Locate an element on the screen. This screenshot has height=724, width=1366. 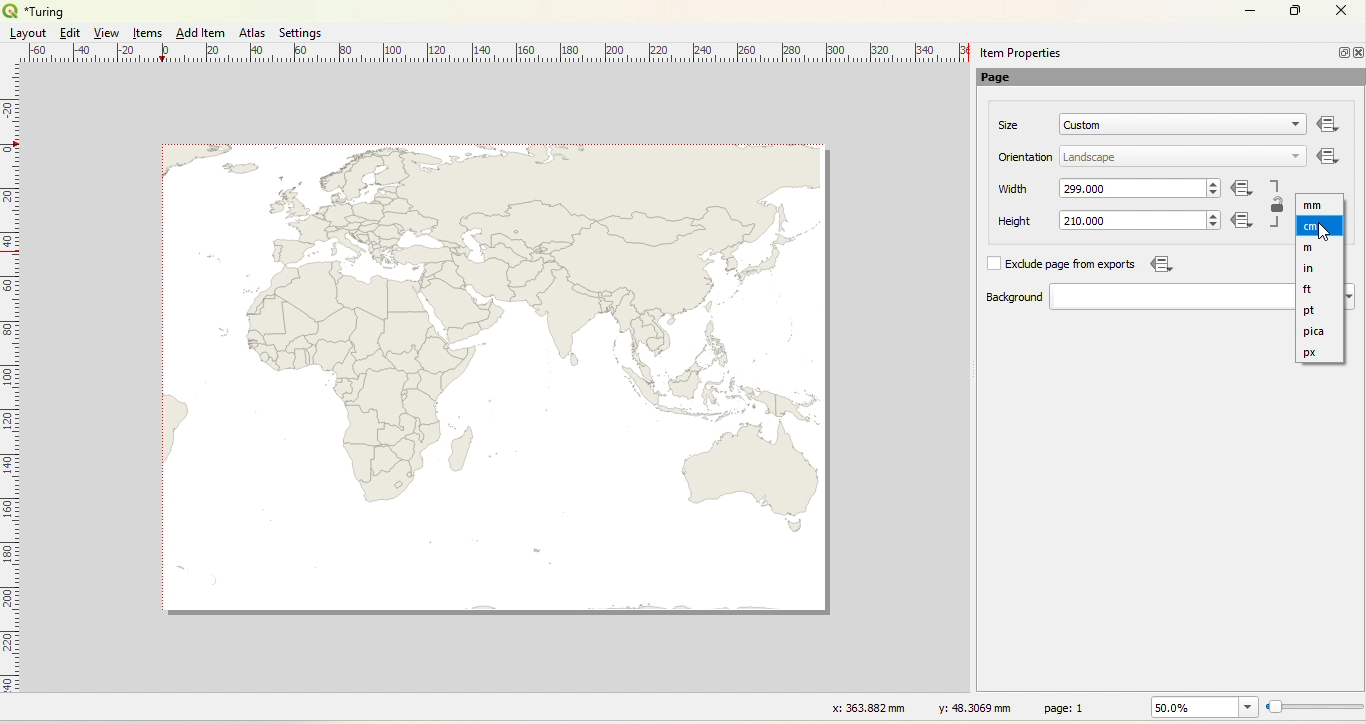
cm is located at coordinates (1312, 227).